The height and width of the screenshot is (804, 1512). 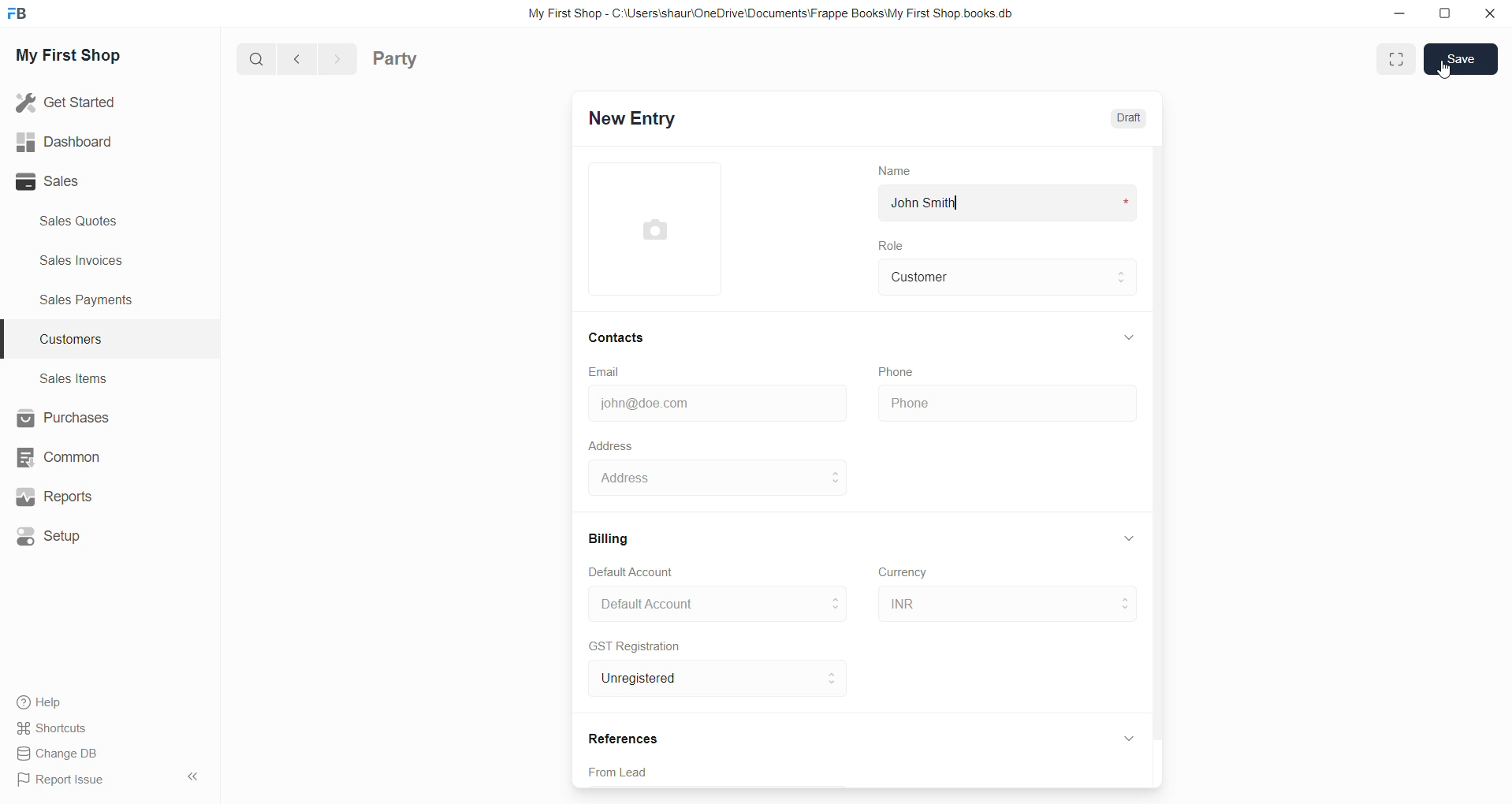 What do you see at coordinates (835, 597) in the screenshot?
I see `move to above address` at bounding box center [835, 597].